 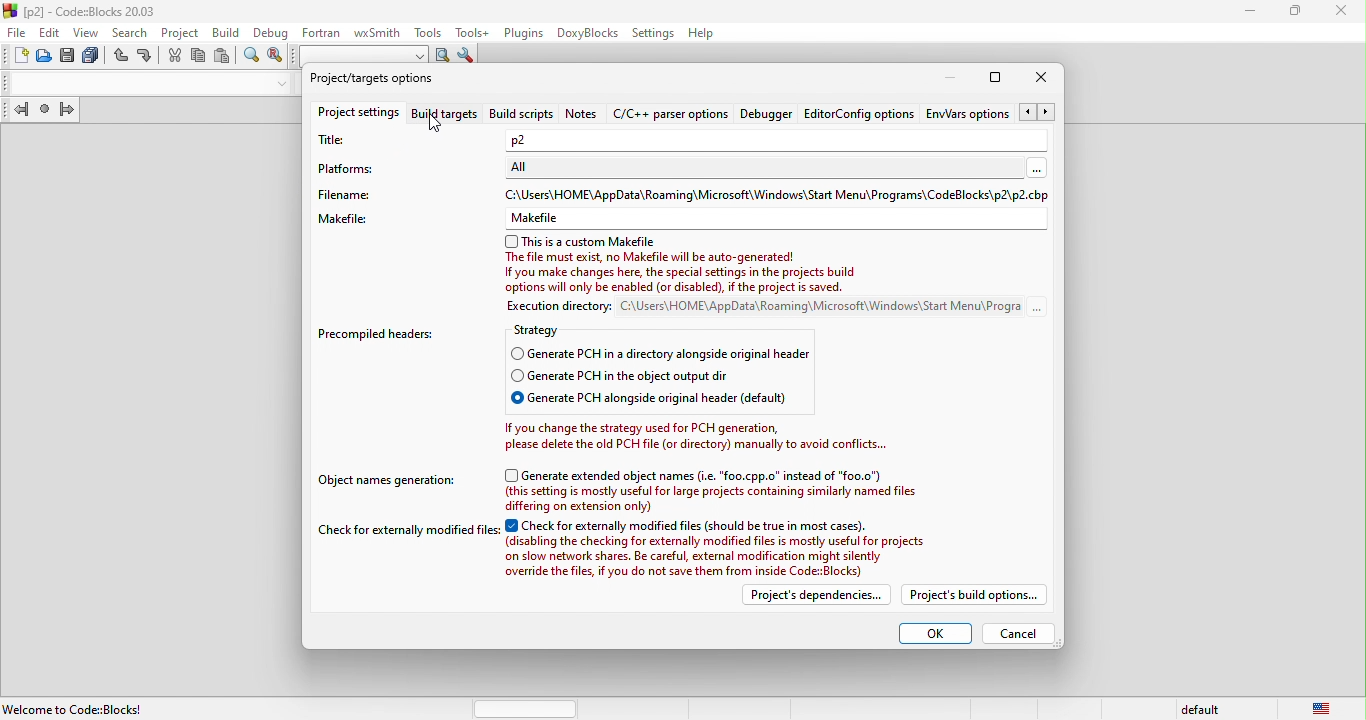 I want to click on jump forward , so click(x=70, y=112).